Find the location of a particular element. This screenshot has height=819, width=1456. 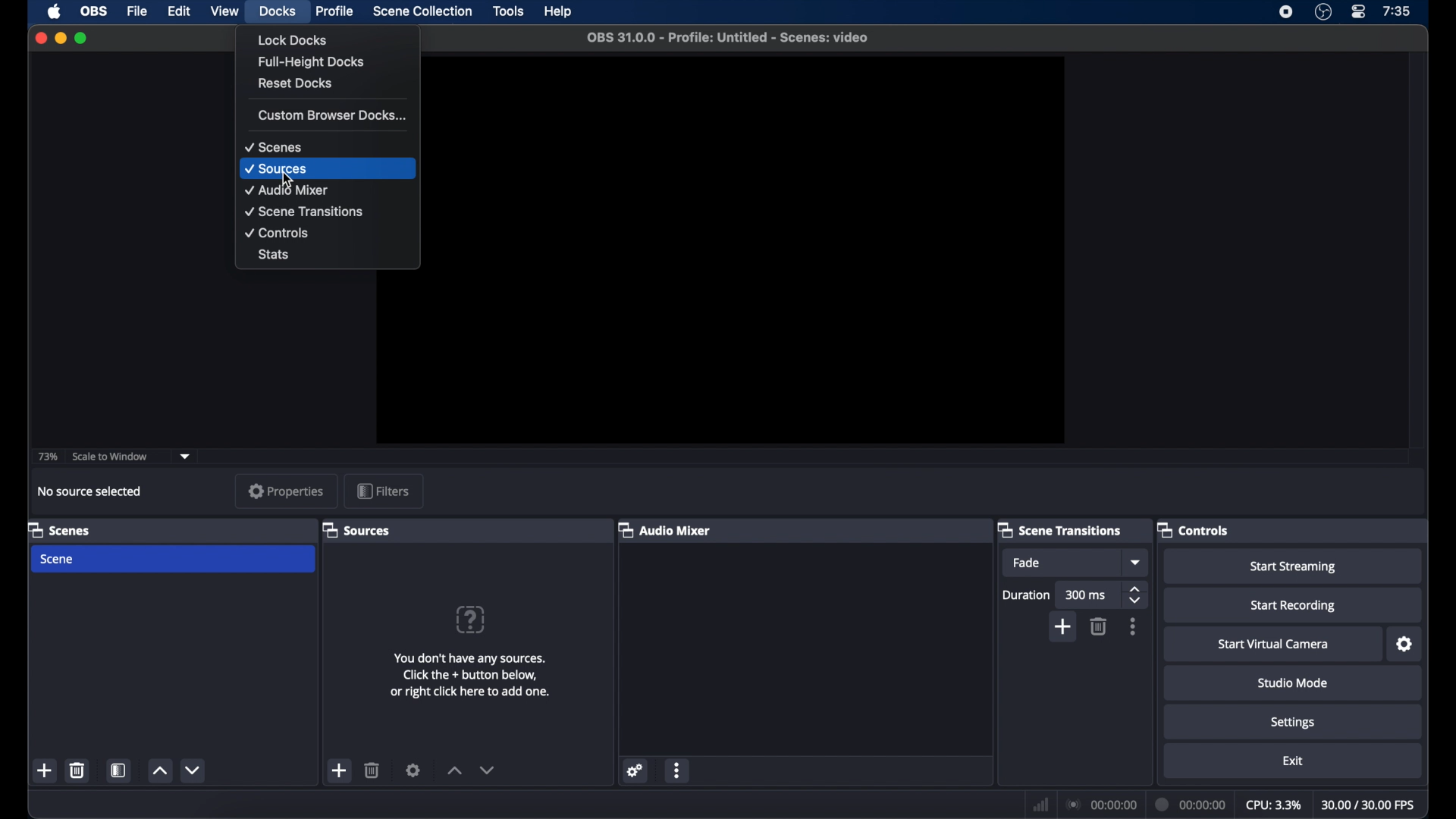

delete is located at coordinates (1100, 626).